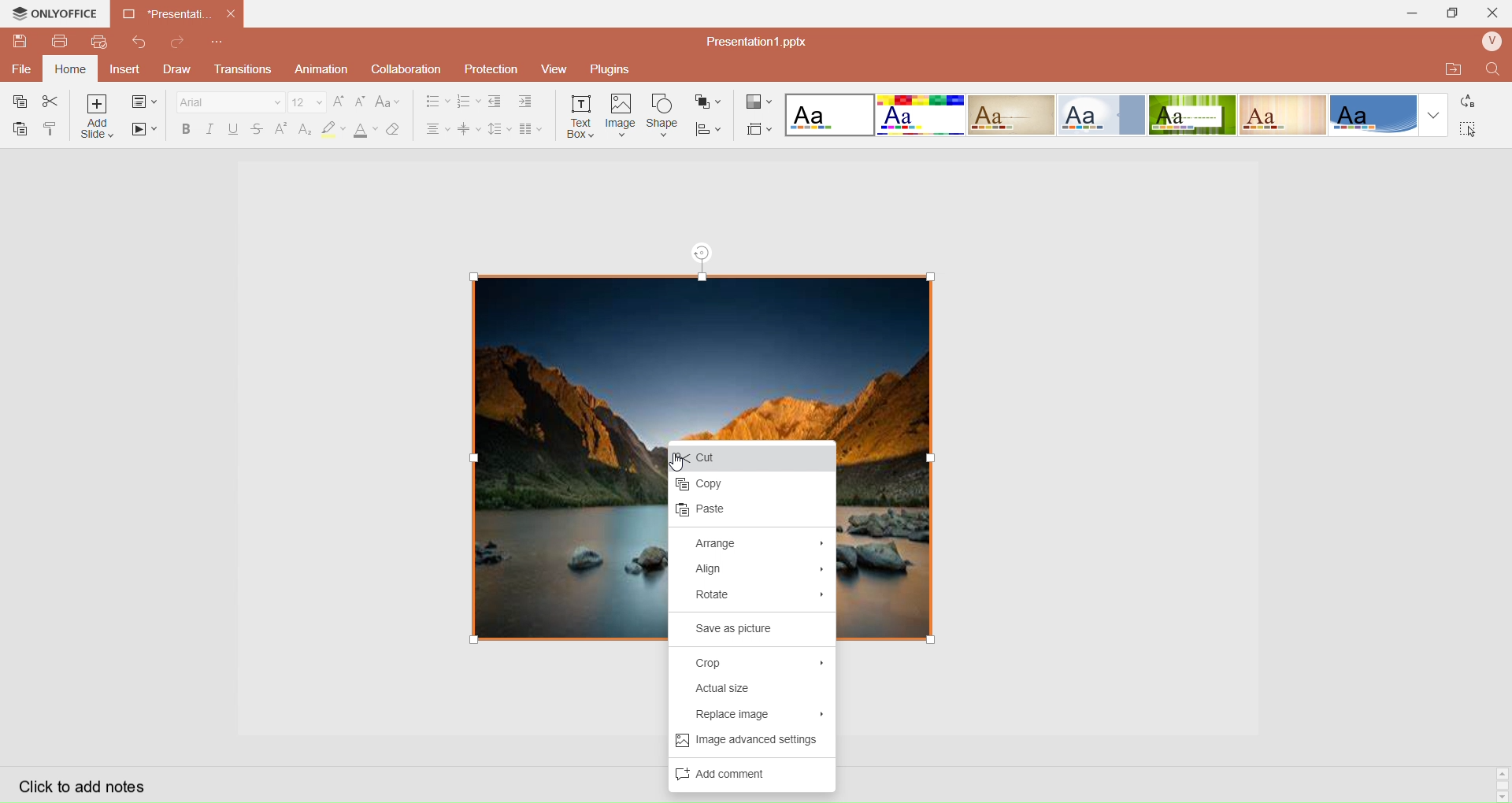  I want to click on File, so click(25, 69).